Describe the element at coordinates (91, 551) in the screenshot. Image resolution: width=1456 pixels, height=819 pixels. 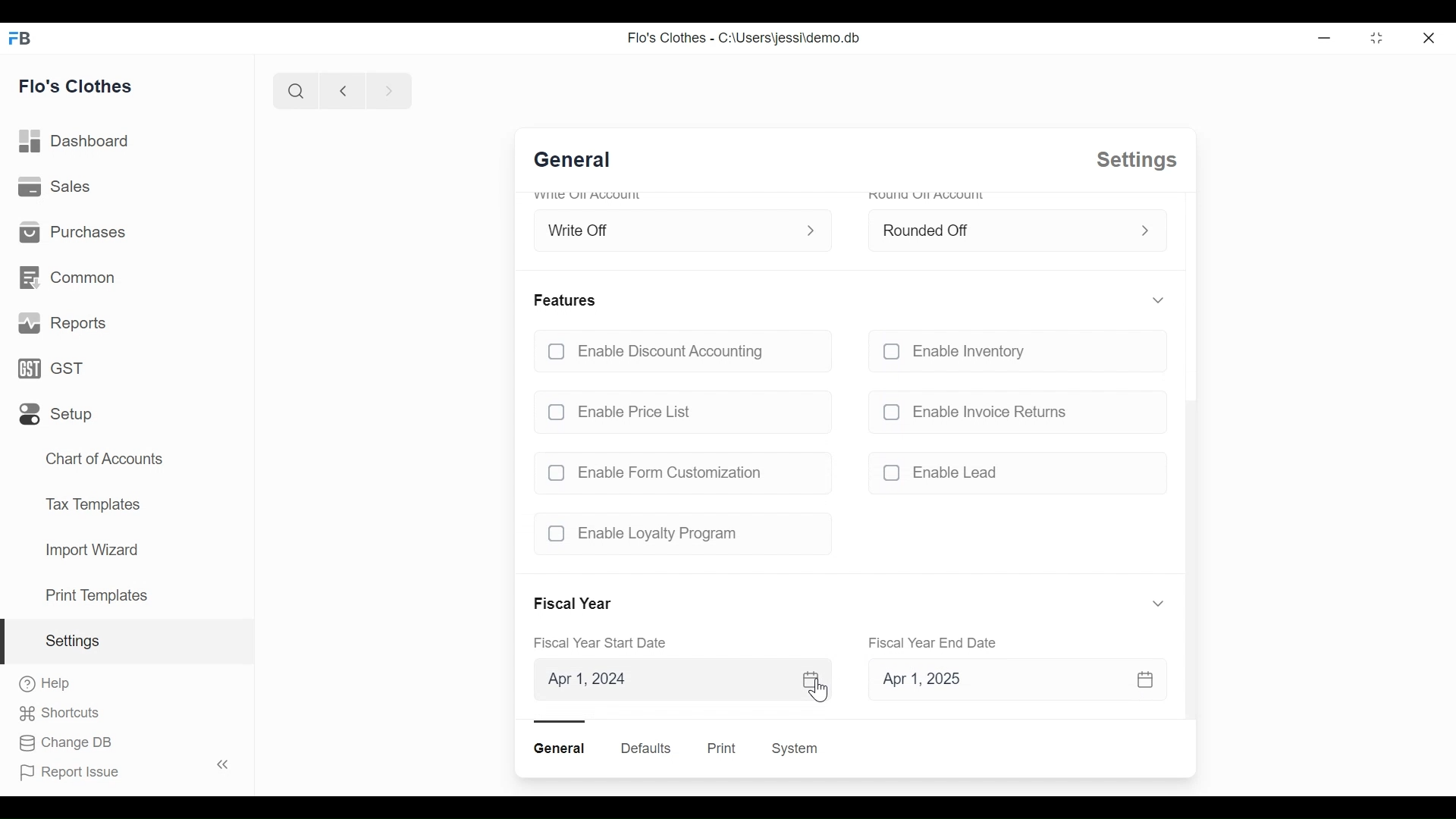
I see `Import Wizard` at that location.